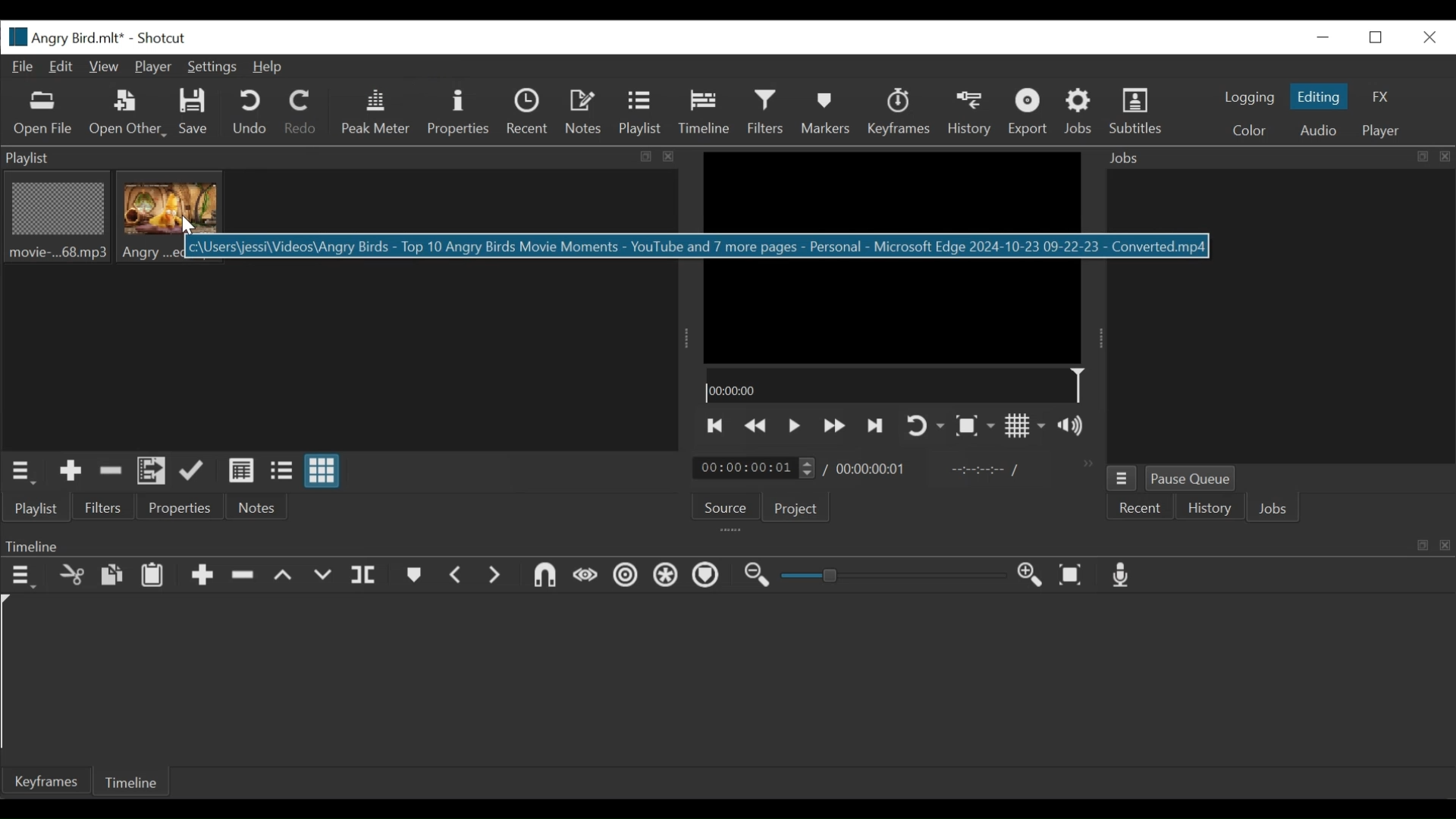 This screenshot has height=819, width=1456. Describe the element at coordinates (152, 472) in the screenshot. I see `Add files to the playlist` at that location.